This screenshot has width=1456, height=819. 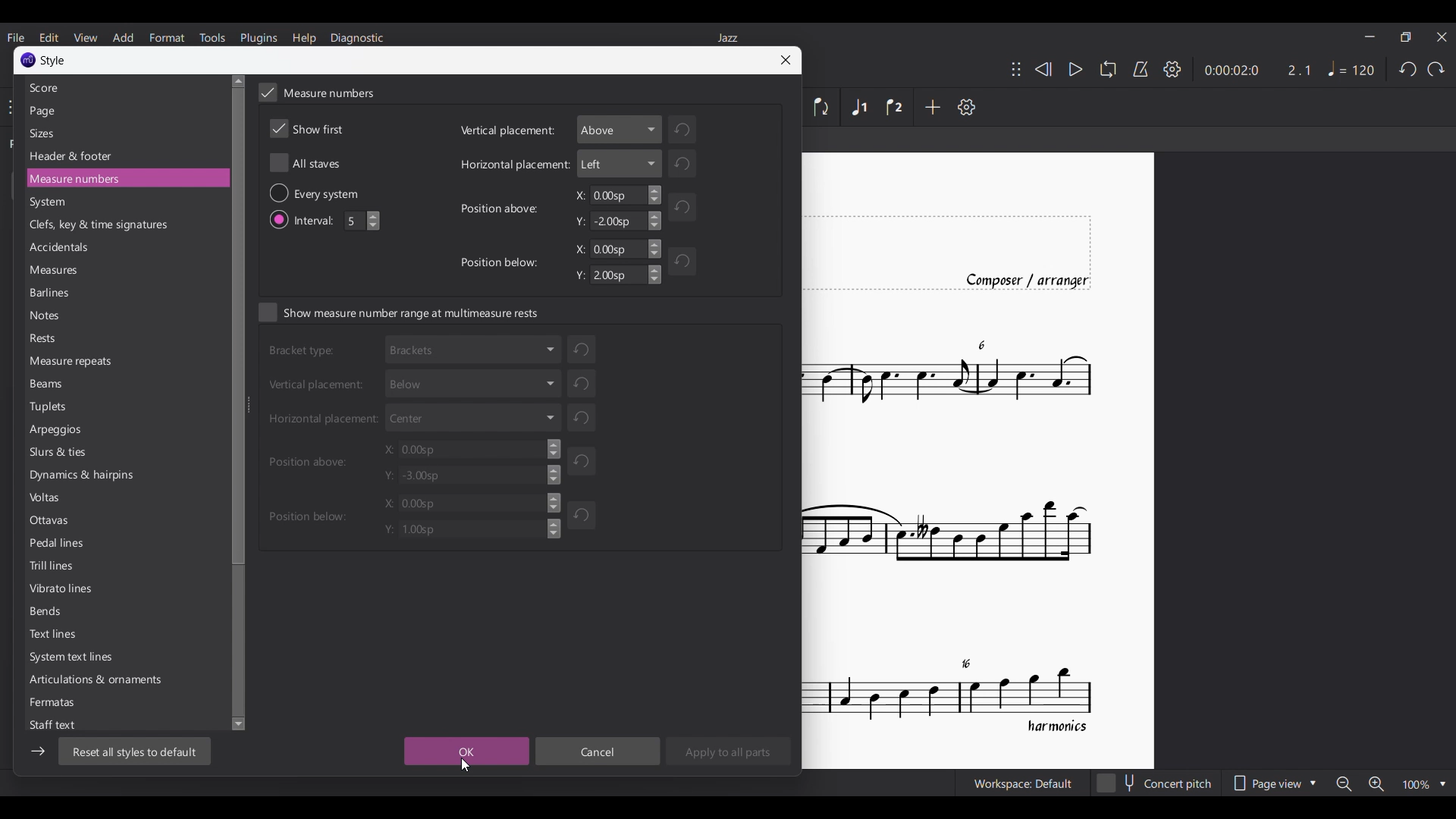 I want to click on X: 0.0, so click(x=468, y=503).